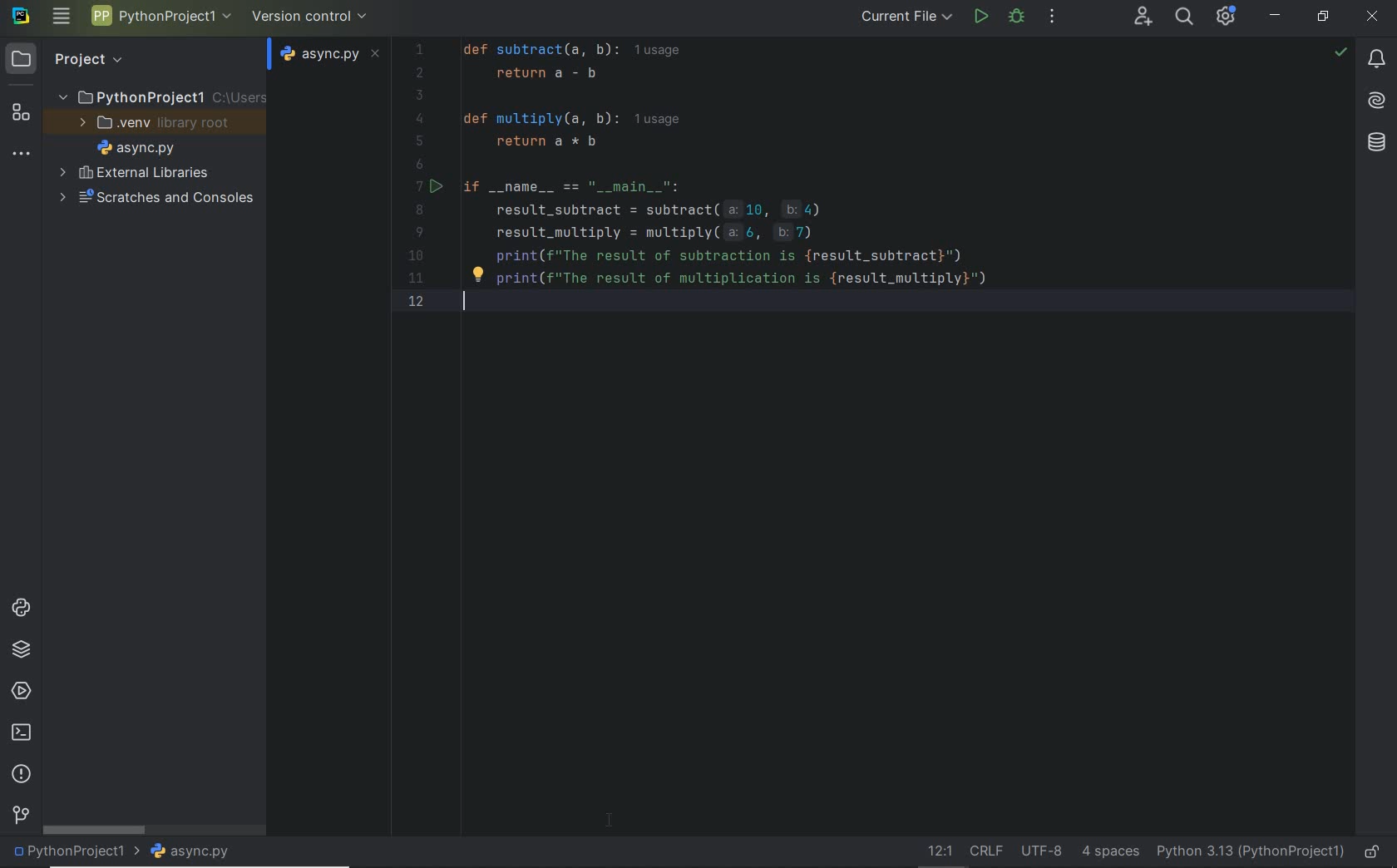  What do you see at coordinates (936, 851) in the screenshot?
I see `Go to line` at bounding box center [936, 851].